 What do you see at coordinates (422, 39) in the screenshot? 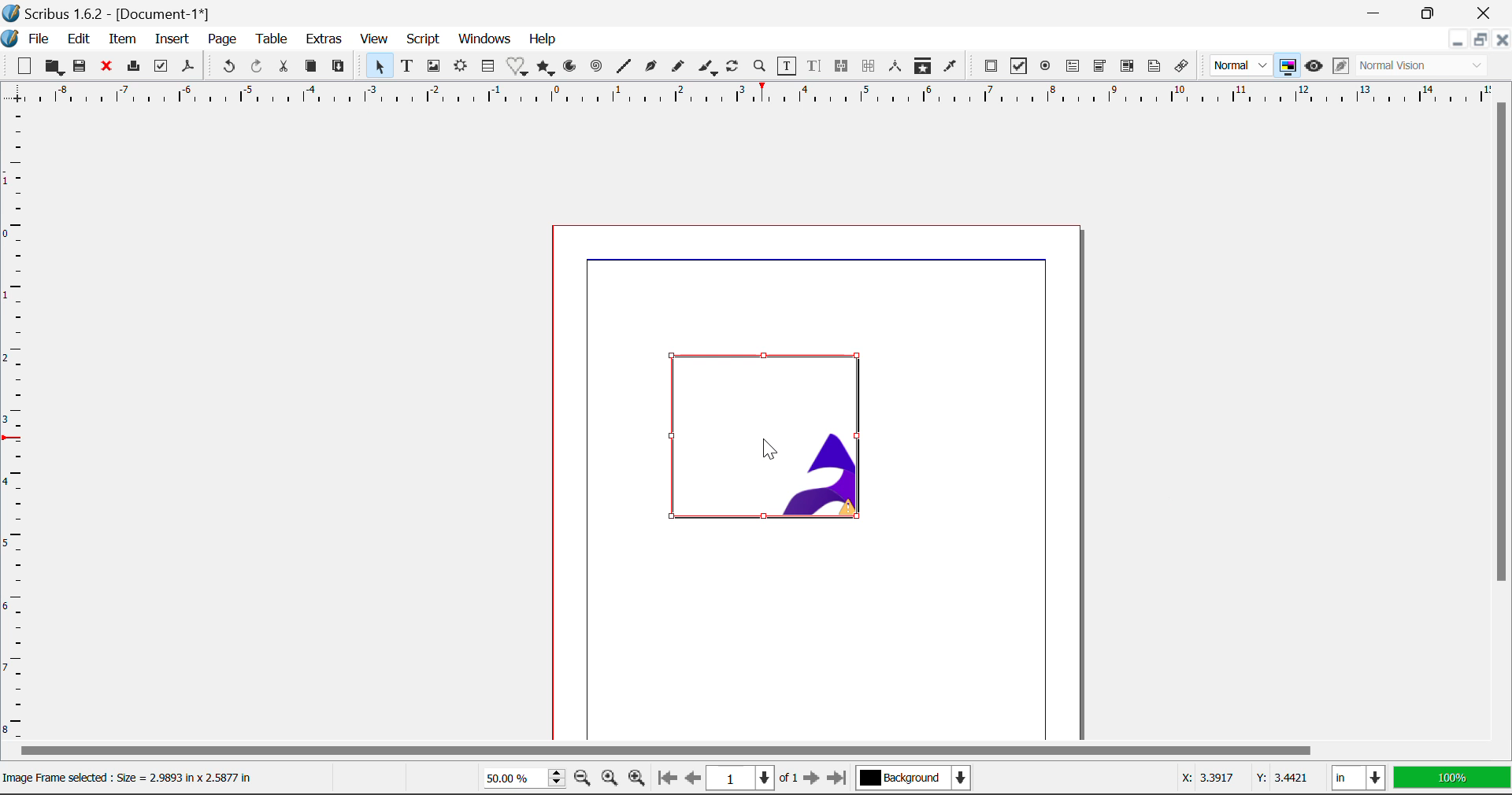
I see `Script` at bounding box center [422, 39].